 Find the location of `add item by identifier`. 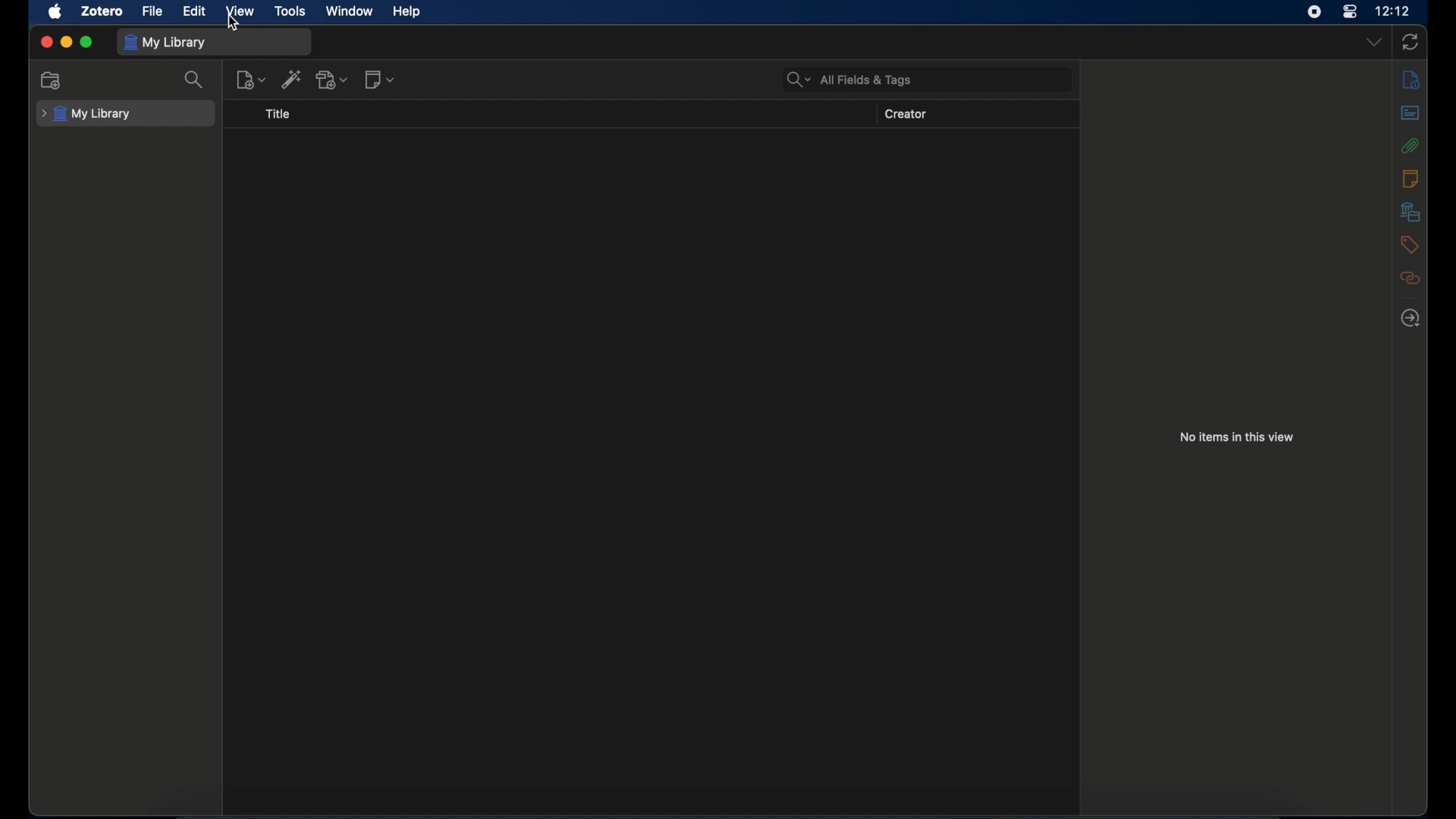

add item by identifier is located at coordinates (293, 79).